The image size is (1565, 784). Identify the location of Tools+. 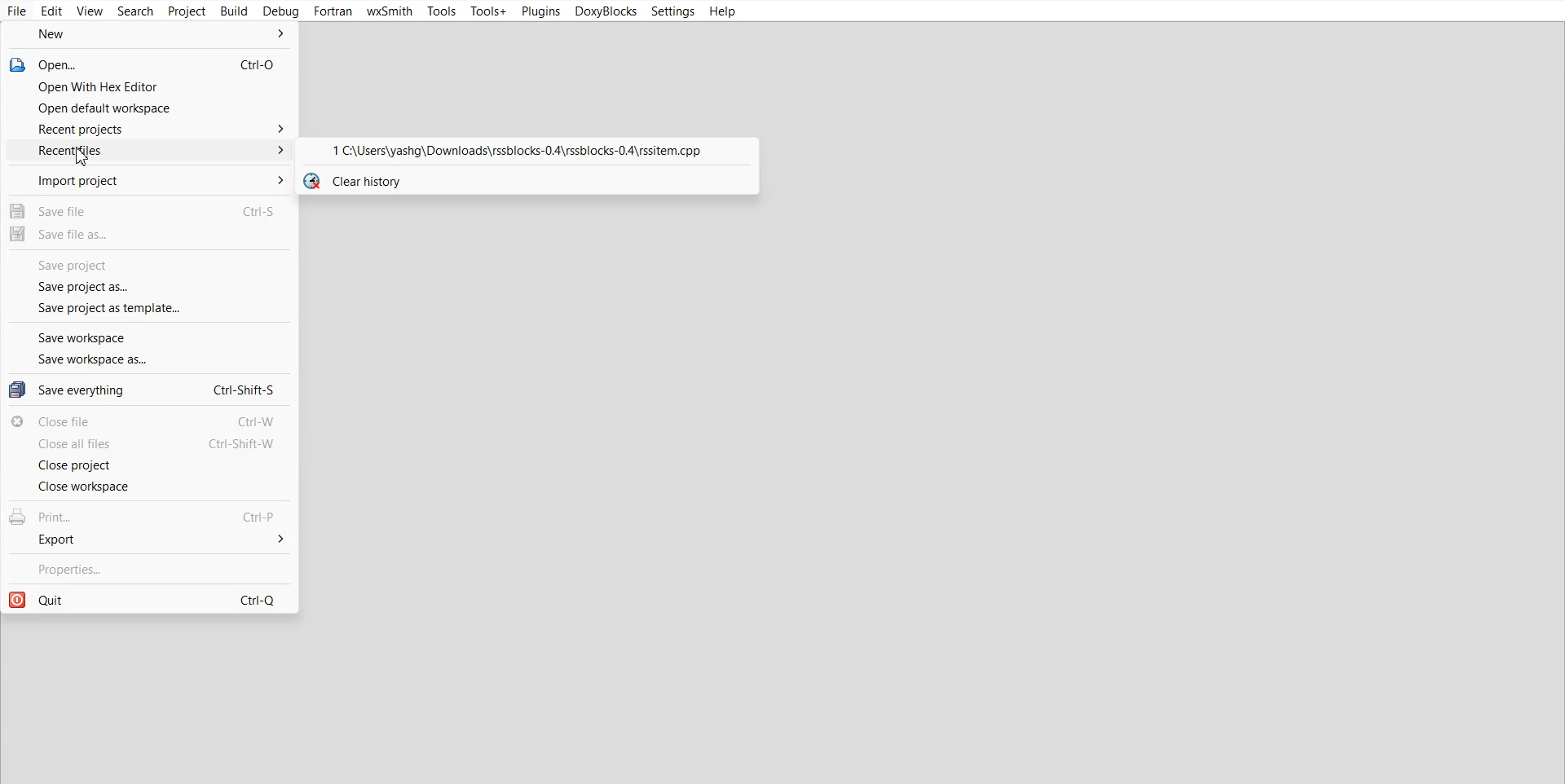
(488, 11).